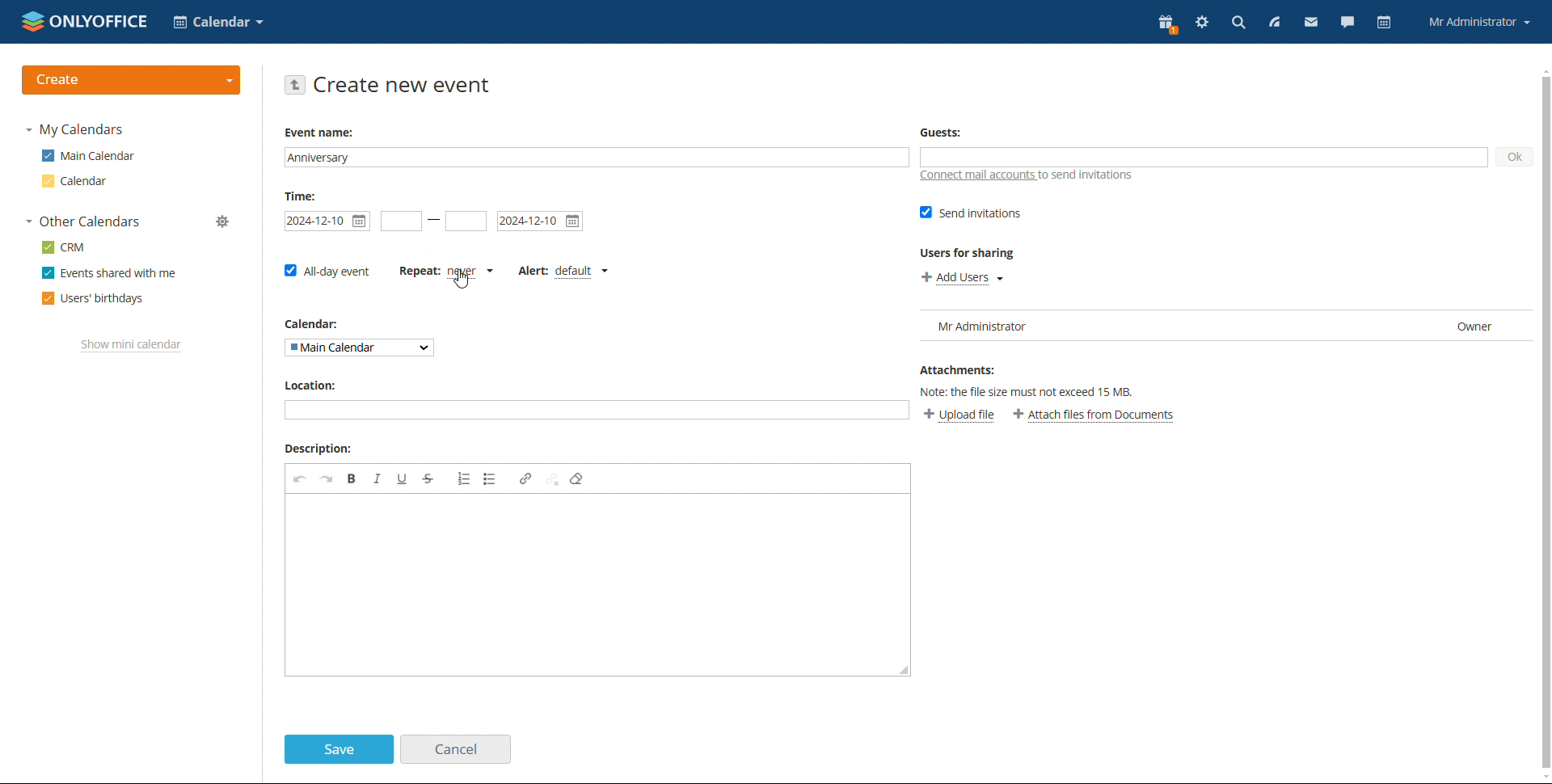  I want to click on resize box, so click(904, 668).